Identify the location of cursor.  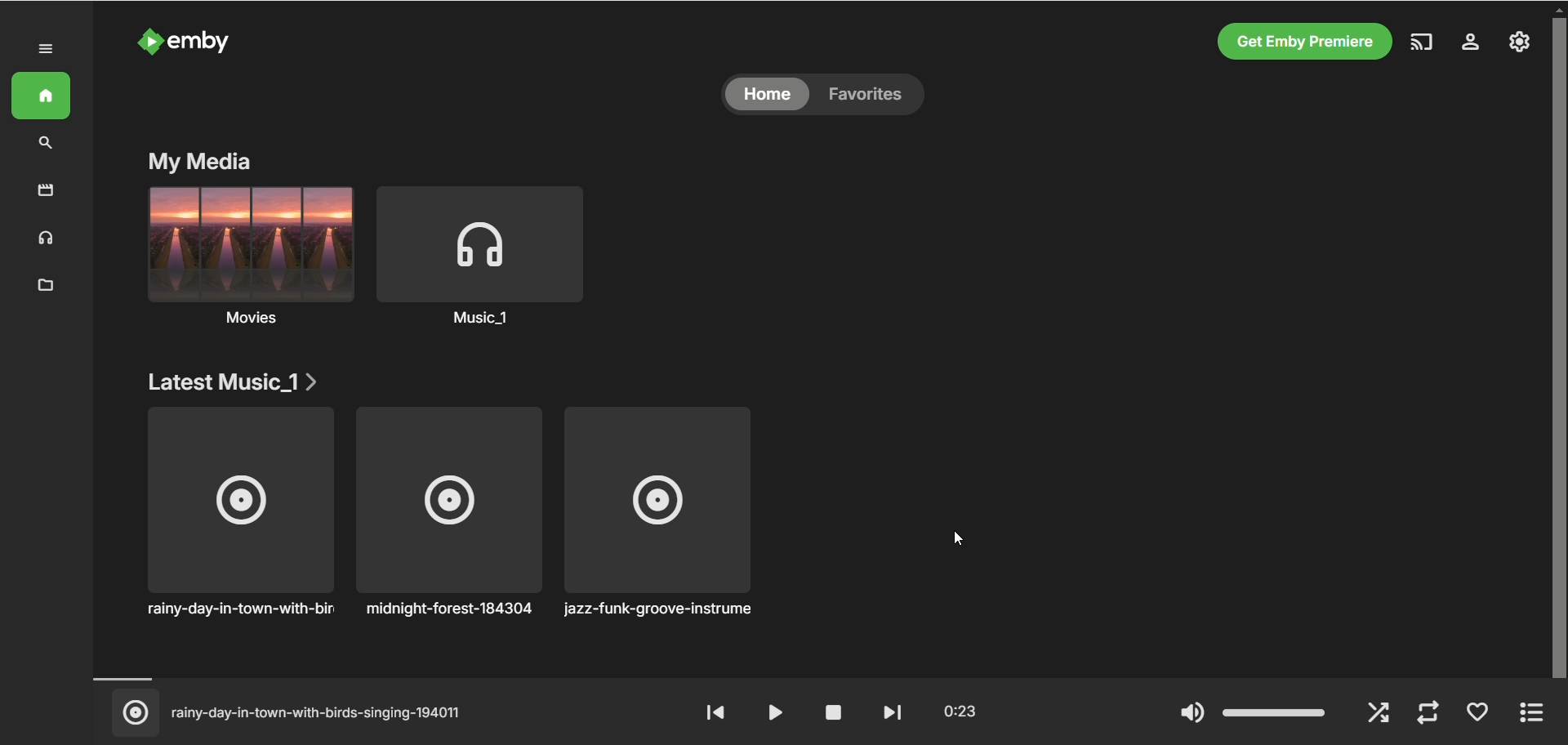
(958, 538).